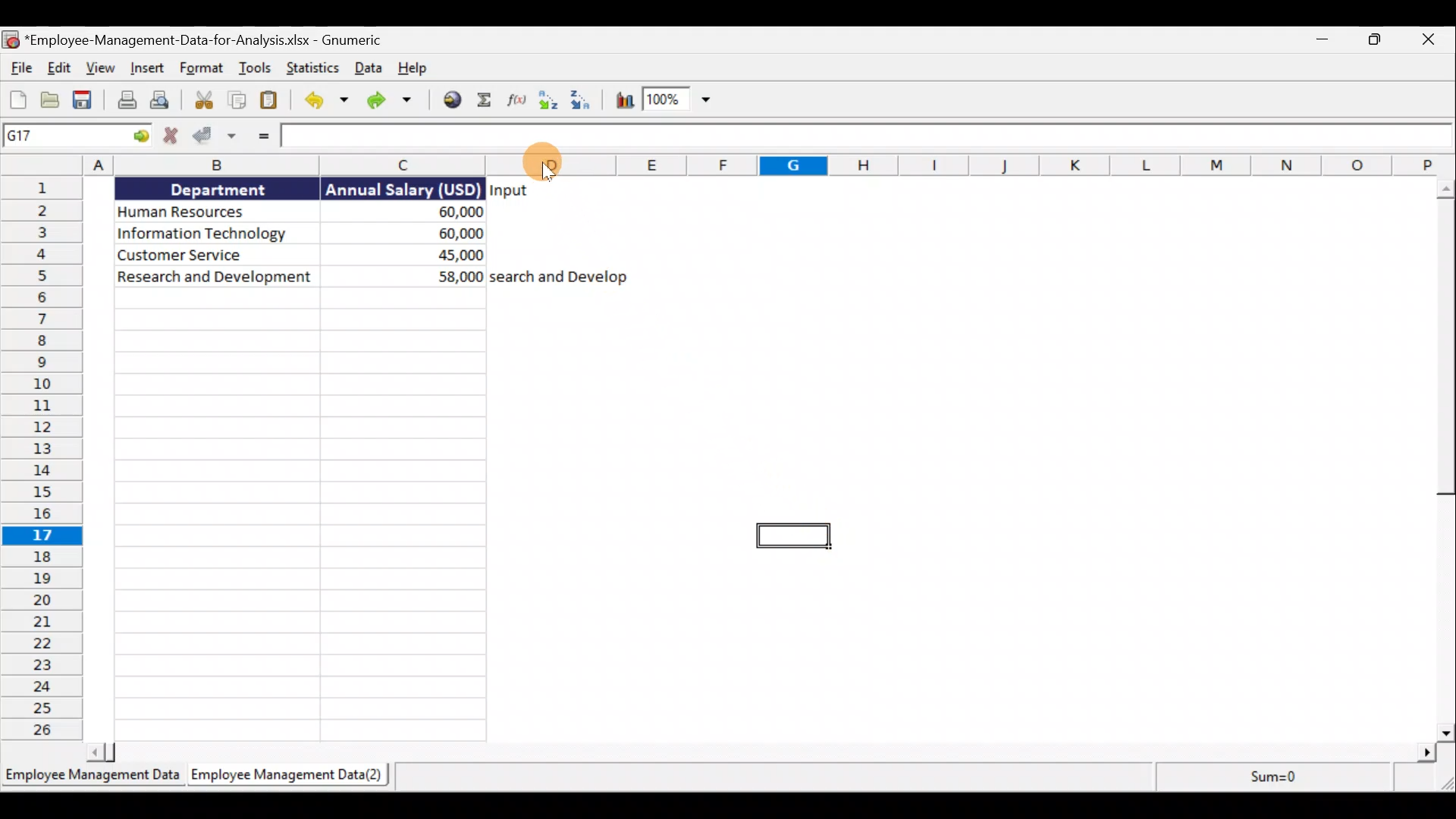 This screenshot has height=819, width=1456. Describe the element at coordinates (289, 774) in the screenshot. I see `Sheet 2` at that location.